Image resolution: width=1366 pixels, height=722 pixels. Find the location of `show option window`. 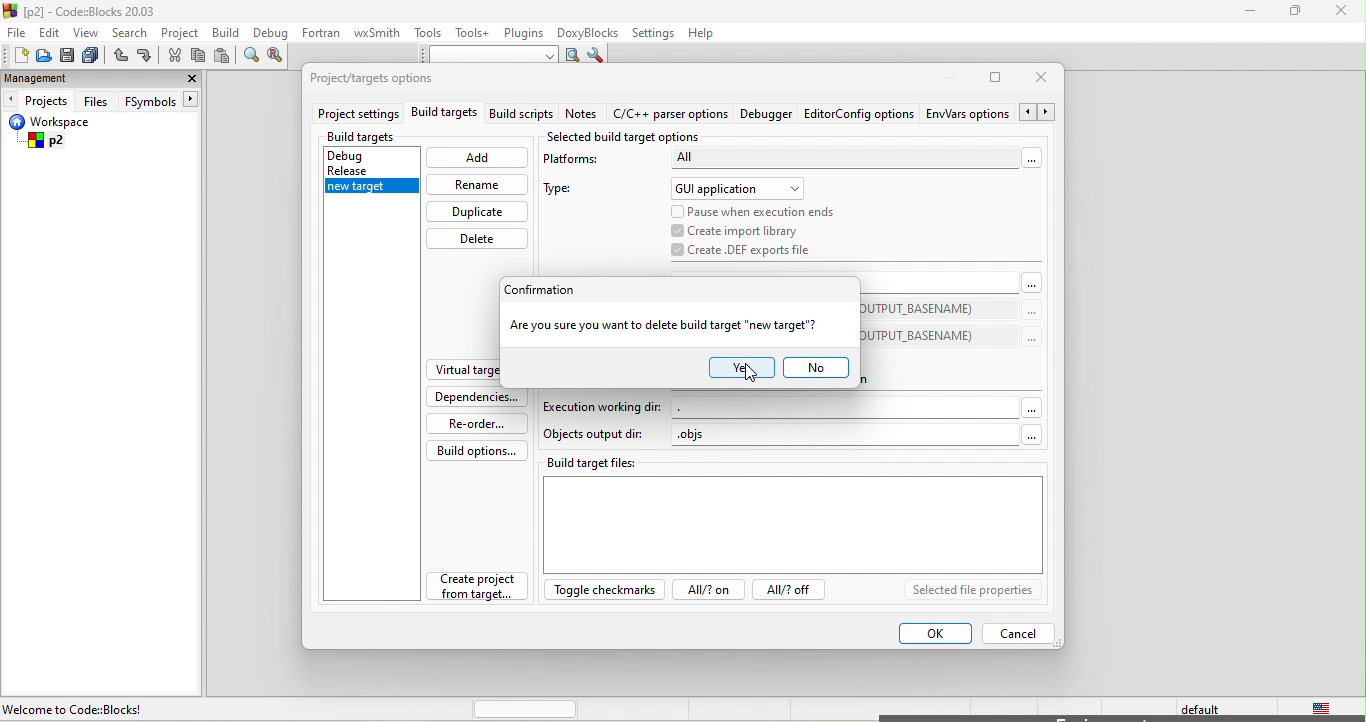

show option window is located at coordinates (598, 55).